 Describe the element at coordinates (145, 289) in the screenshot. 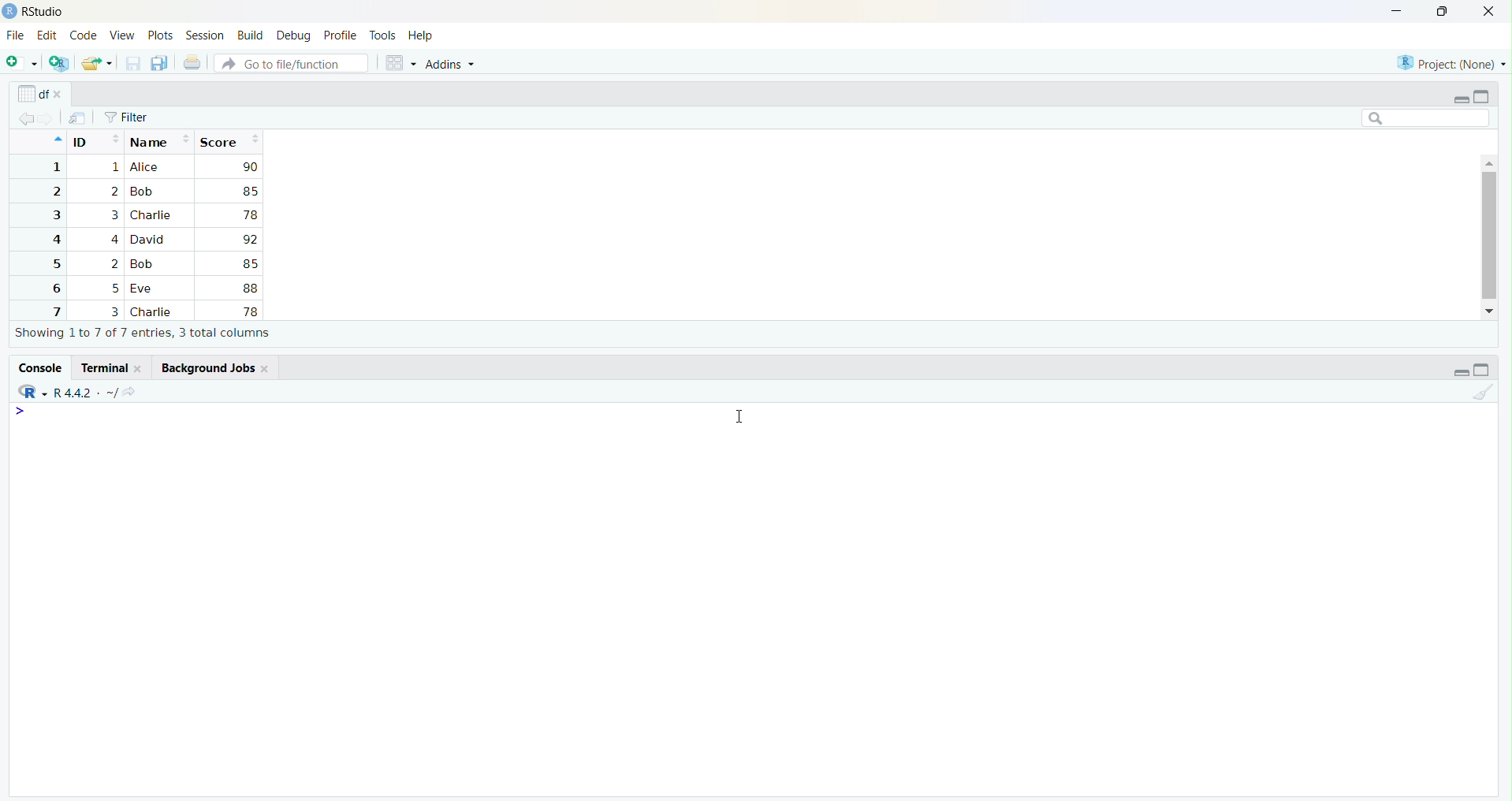

I see `Eve` at that location.